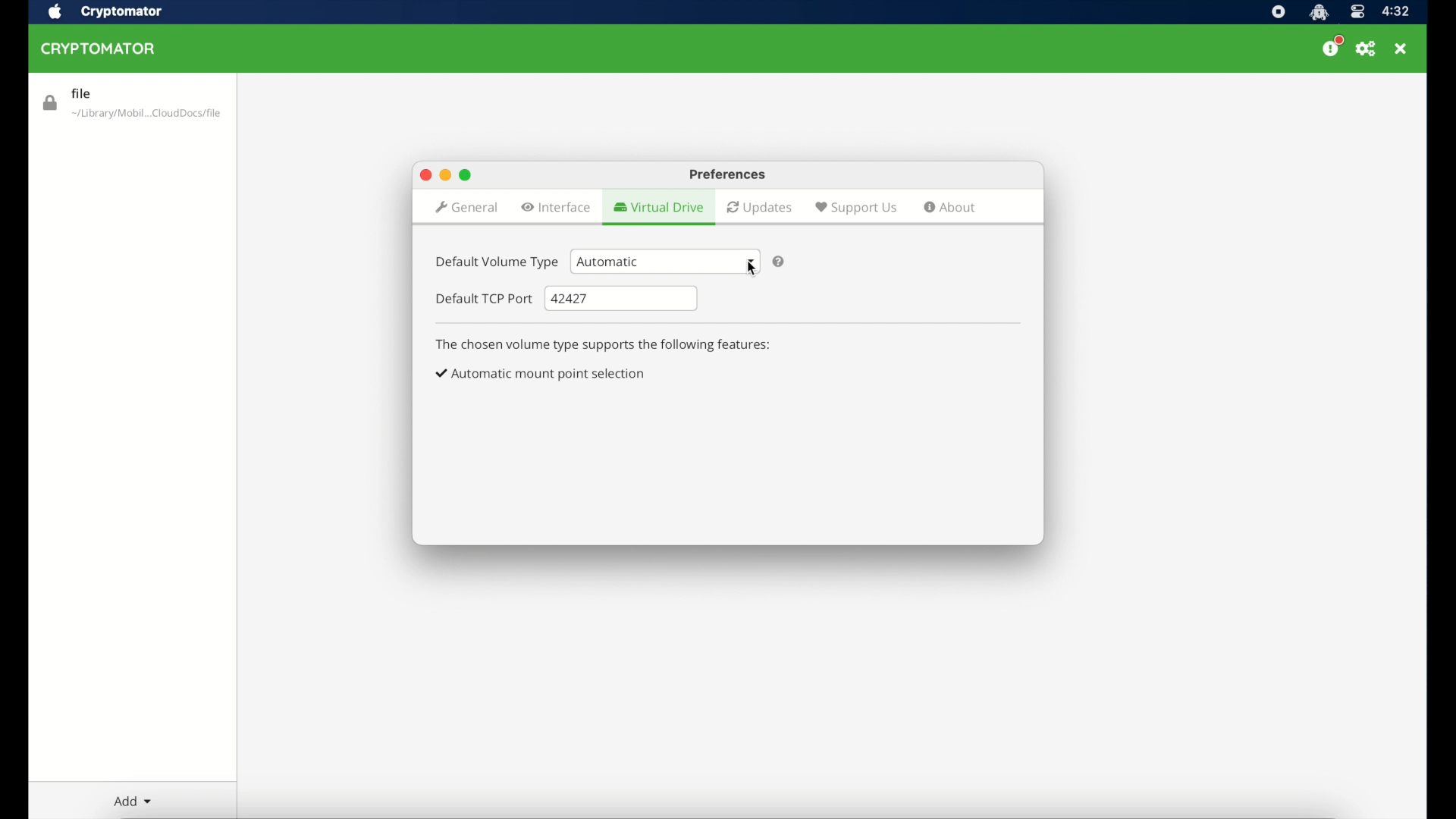 The width and height of the screenshot is (1456, 819). I want to click on general, so click(466, 209).